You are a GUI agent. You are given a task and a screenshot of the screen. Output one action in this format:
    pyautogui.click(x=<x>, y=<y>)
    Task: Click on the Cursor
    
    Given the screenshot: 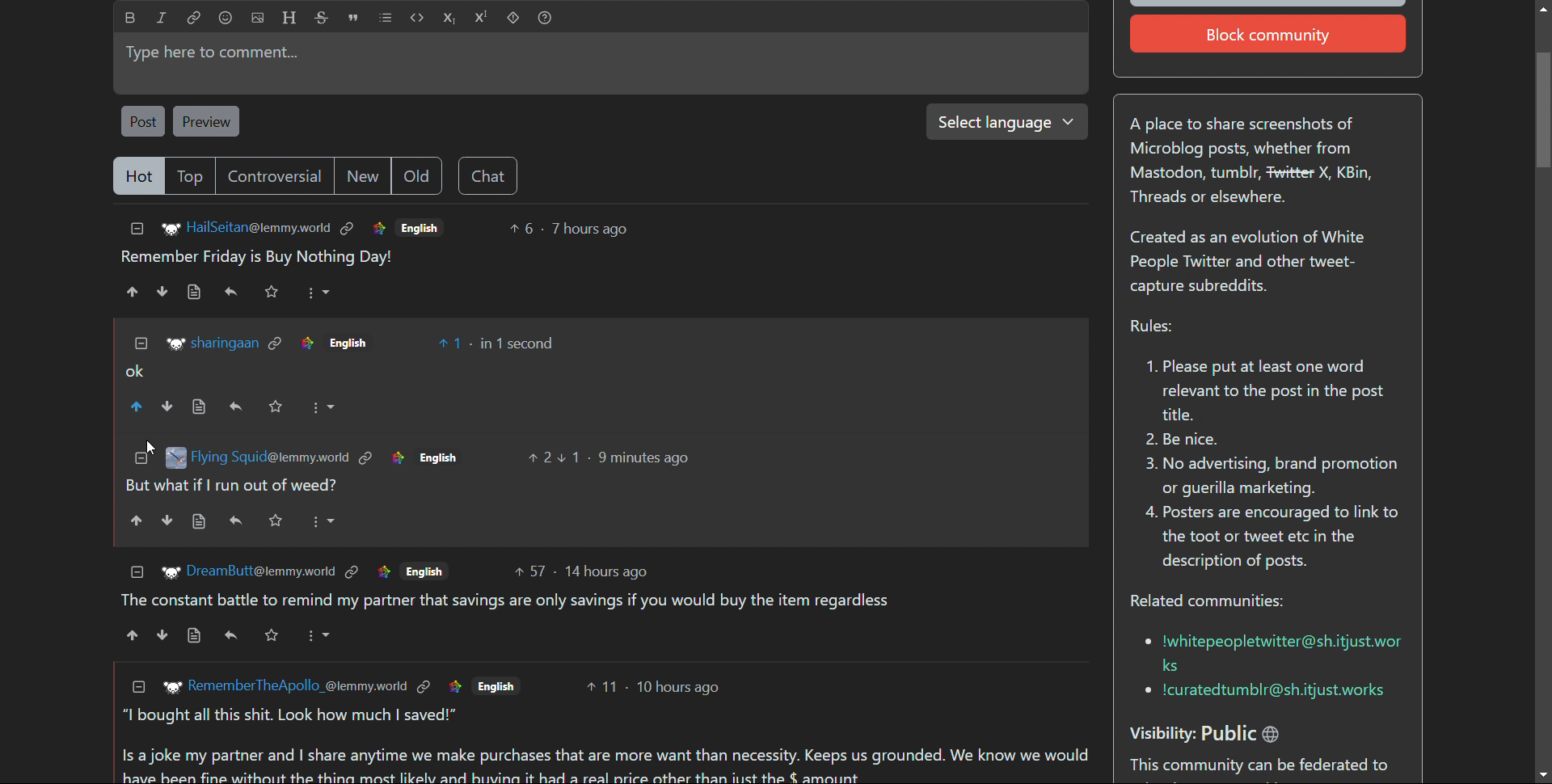 What is the action you would take?
    pyautogui.click(x=142, y=446)
    